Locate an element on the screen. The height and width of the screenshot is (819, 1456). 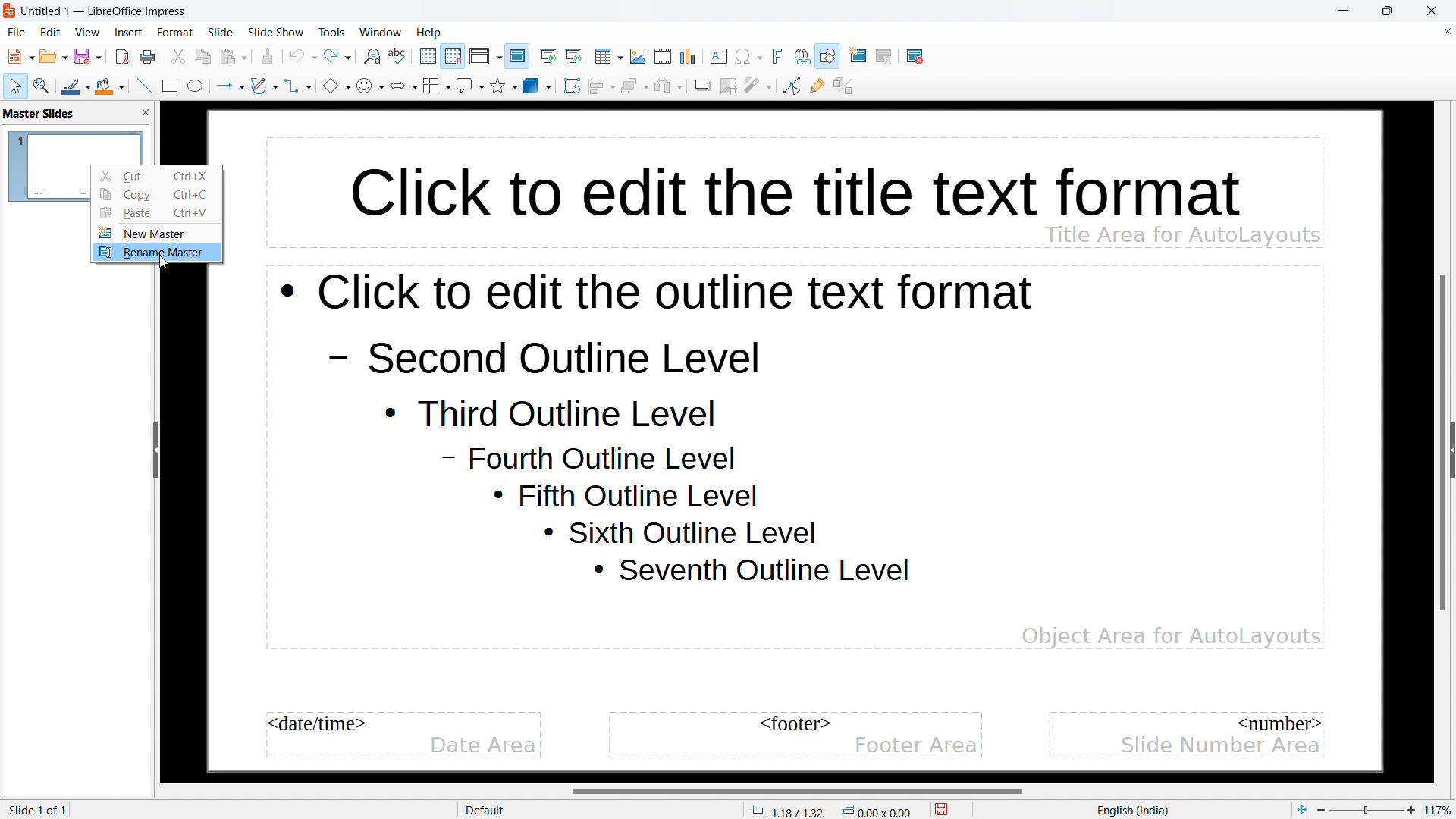
insert table is located at coordinates (609, 56).